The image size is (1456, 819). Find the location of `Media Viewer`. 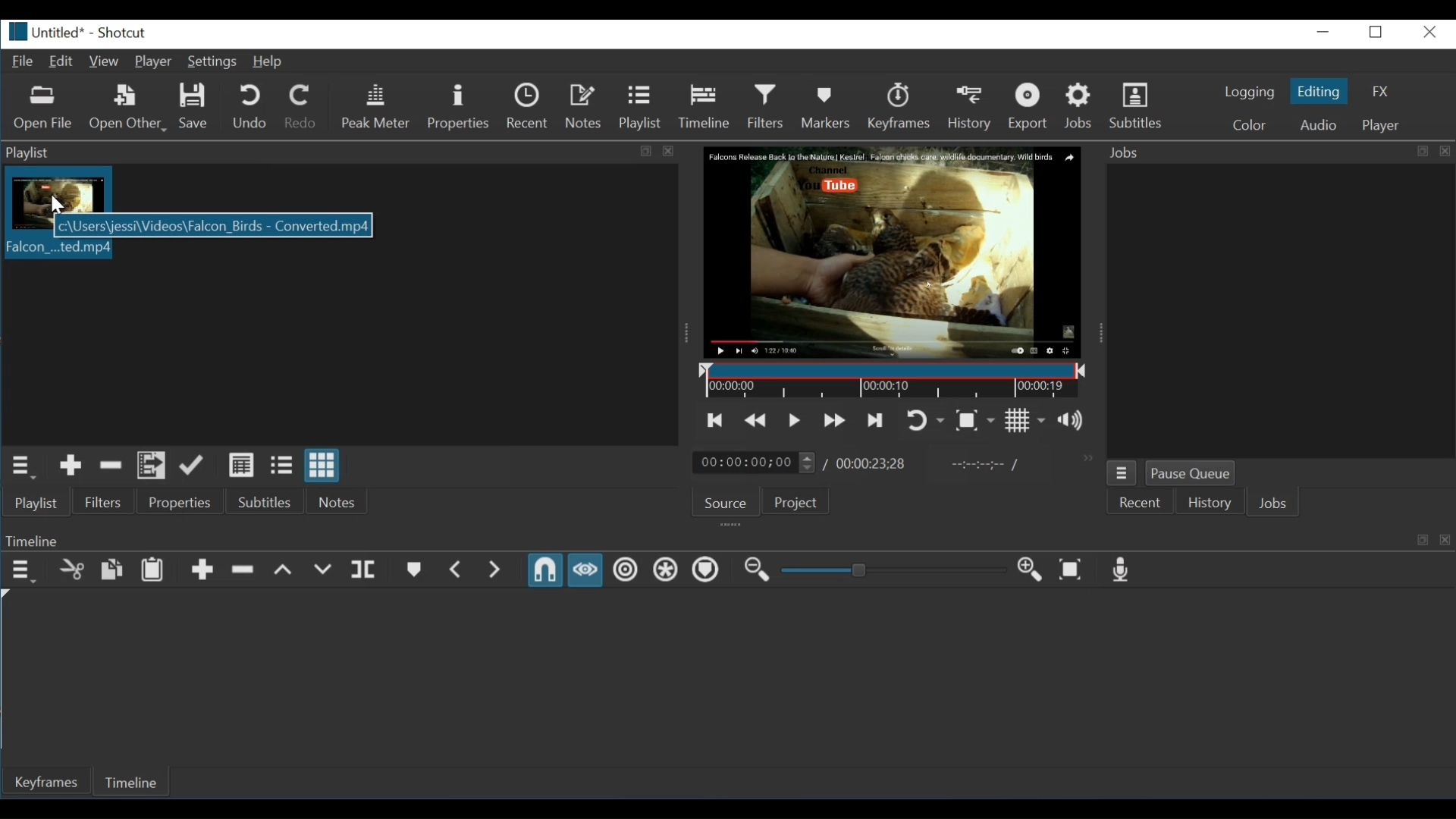

Media Viewer is located at coordinates (894, 253).